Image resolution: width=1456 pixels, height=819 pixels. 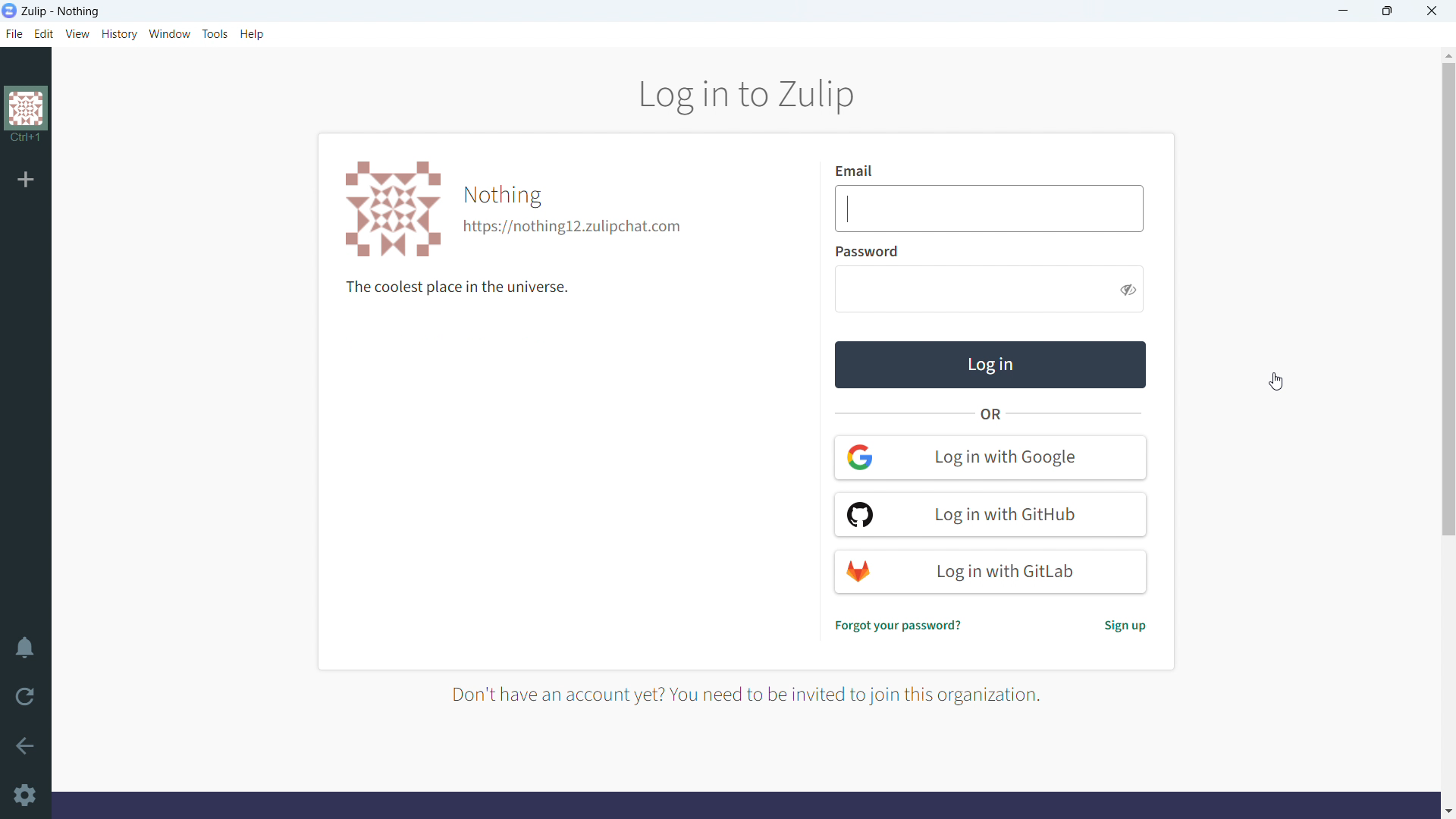 I want to click on close, so click(x=1432, y=11).